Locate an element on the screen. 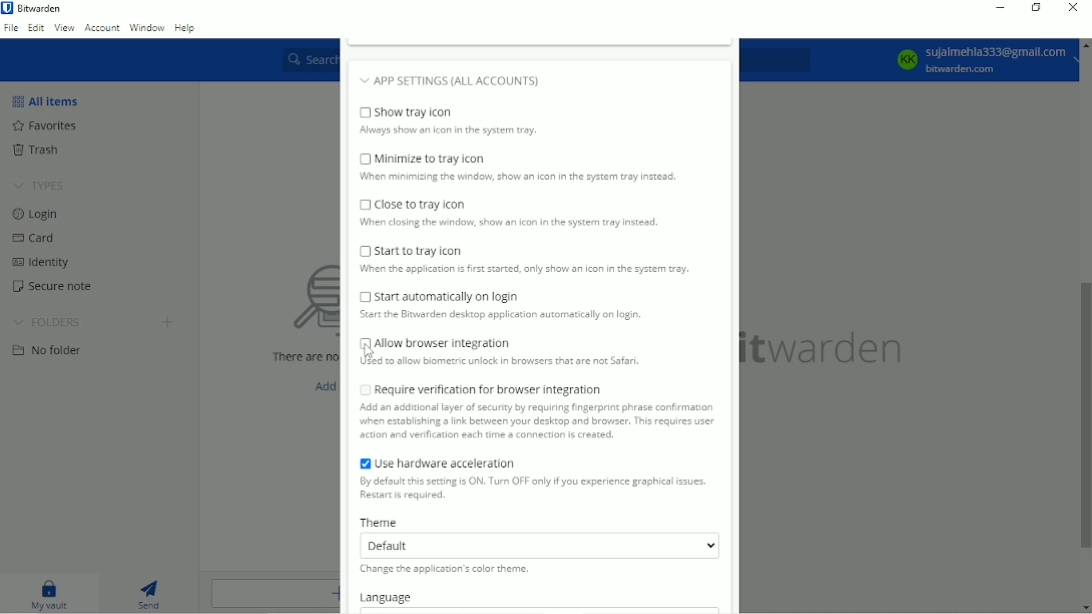 This screenshot has height=614, width=1092. KK sujalmehla333@gmail.com      bitwarden.com is located at coordinates (983, 59).